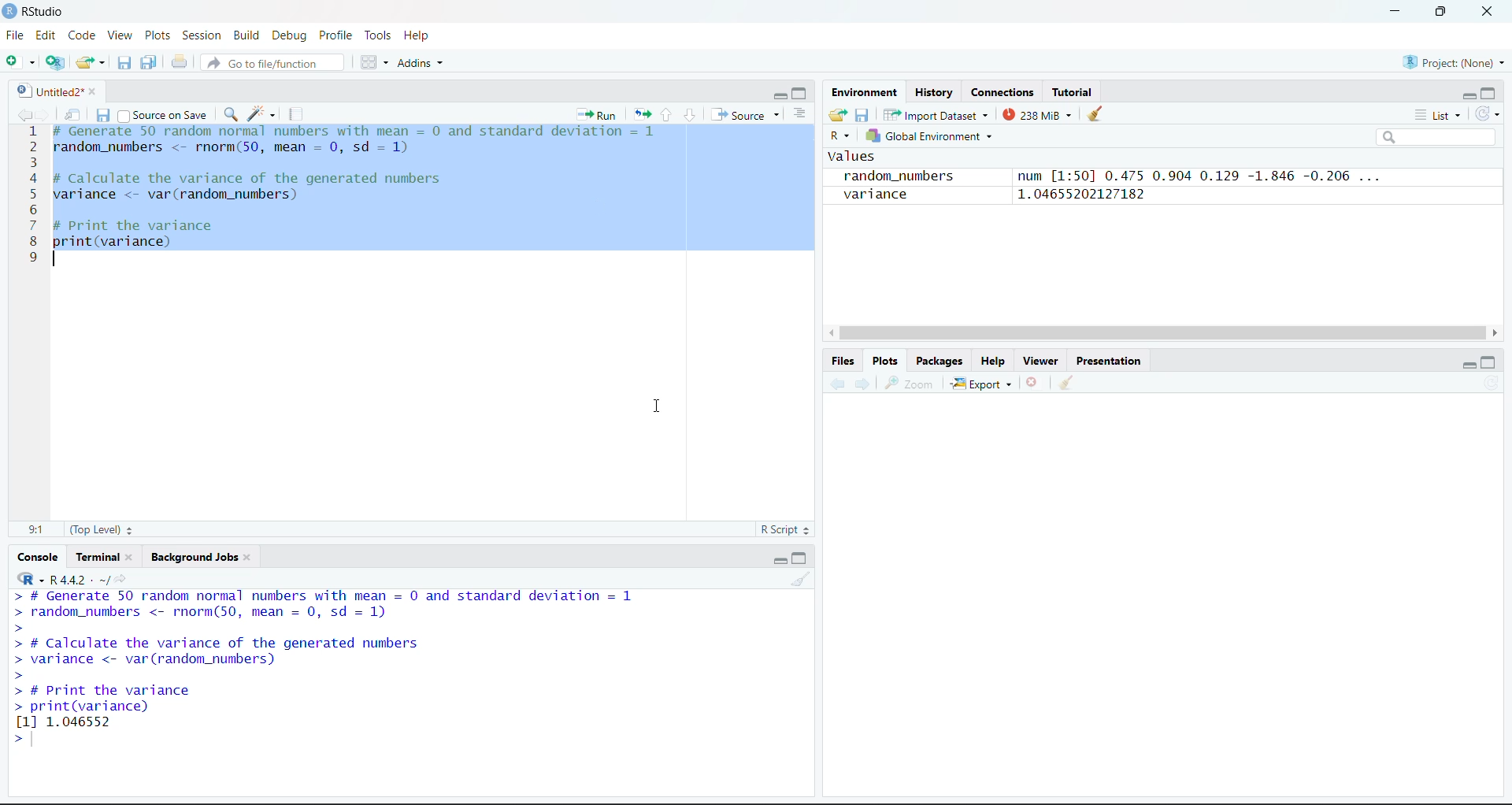  What do you see at coordinates (844, 361) in the screenshot?
I see `Files` at bounding box center [844, 361].